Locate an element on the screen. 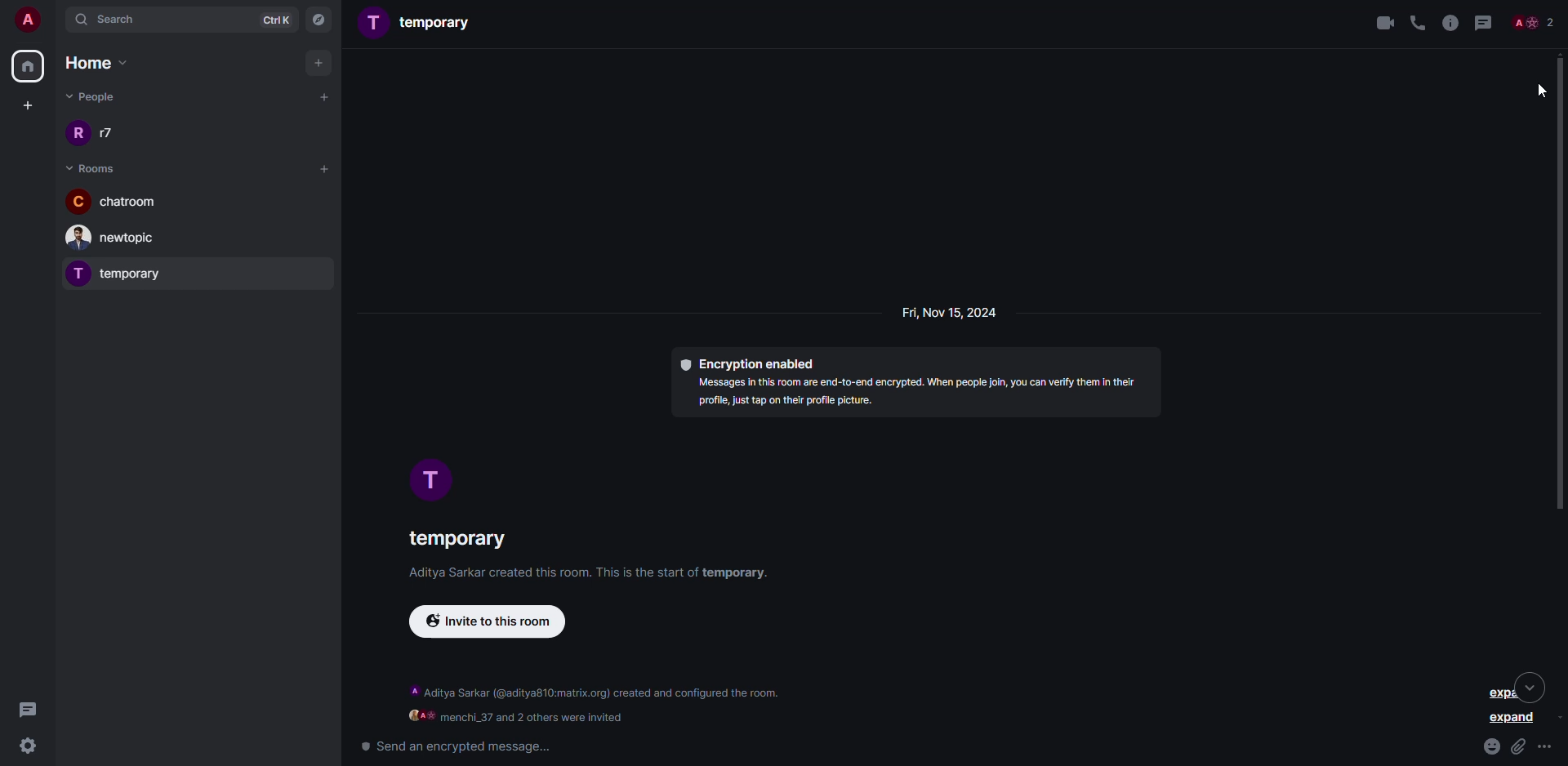  navigator is located at coordinates (320, 19).